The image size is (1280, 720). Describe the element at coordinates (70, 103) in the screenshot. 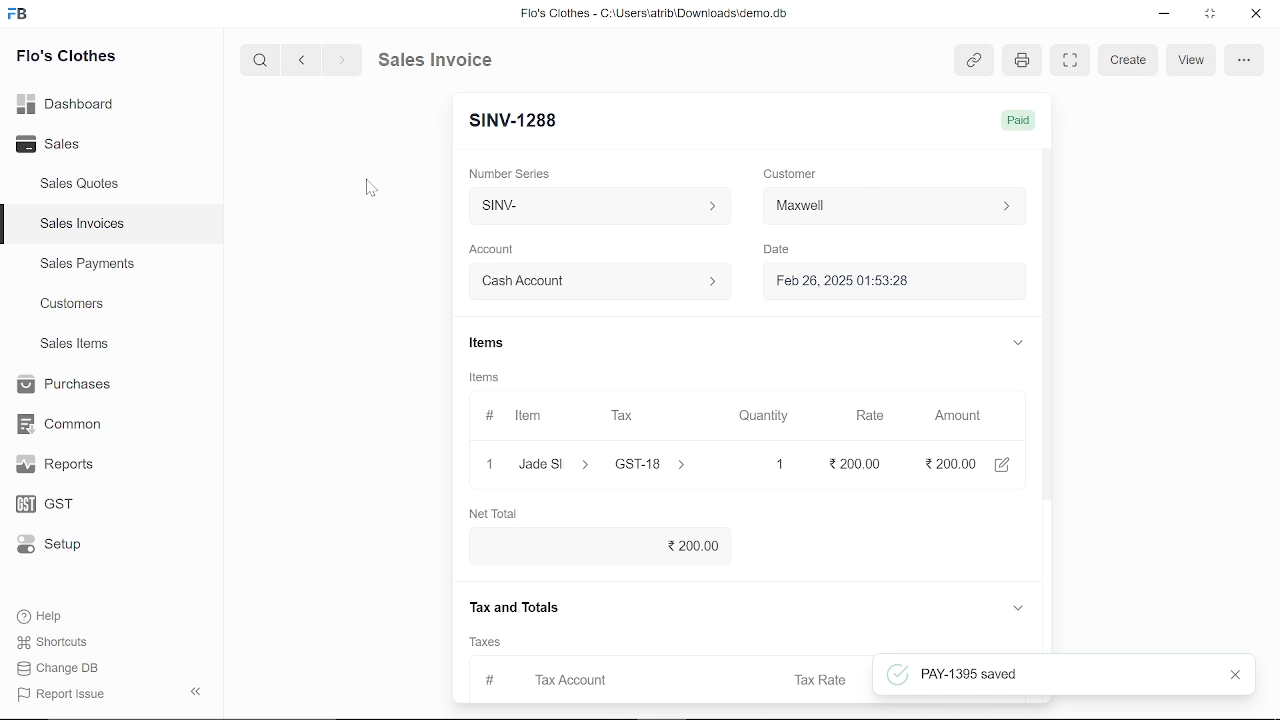

I see `Dashboard` at that location.